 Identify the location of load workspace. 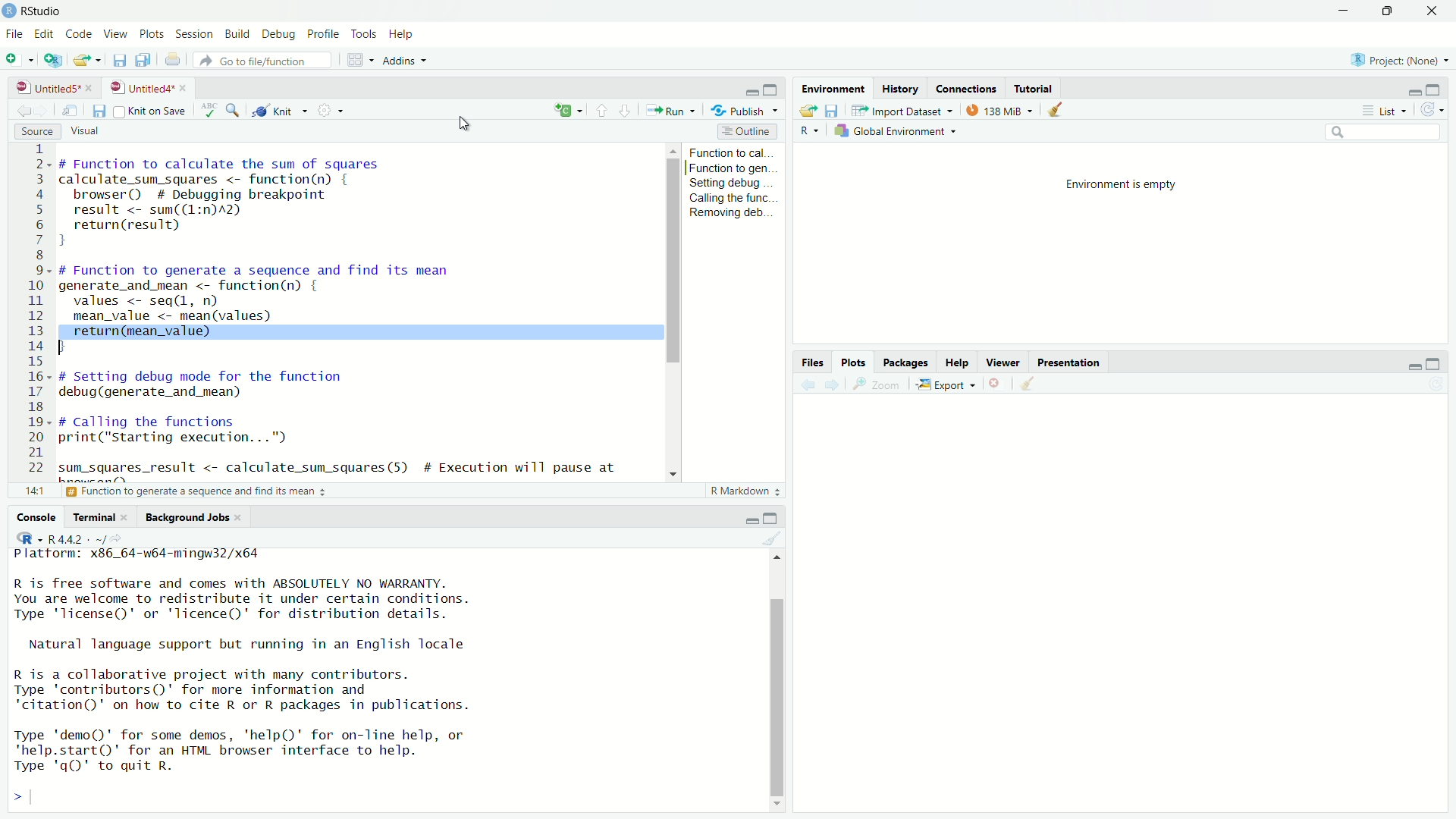
(808, 110).